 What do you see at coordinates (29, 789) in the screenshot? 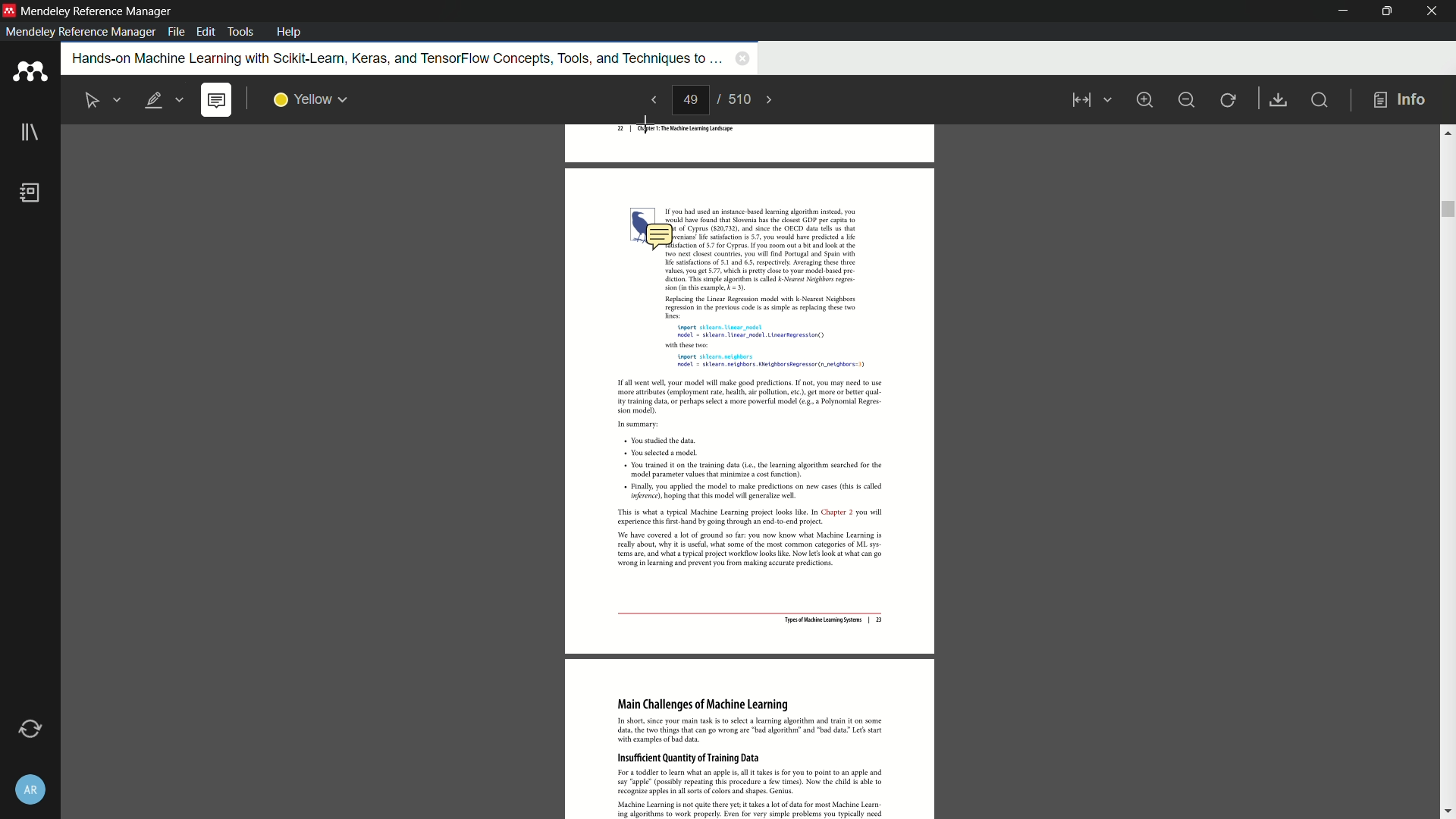
I see `account and help` at bounding box center [29, 789].